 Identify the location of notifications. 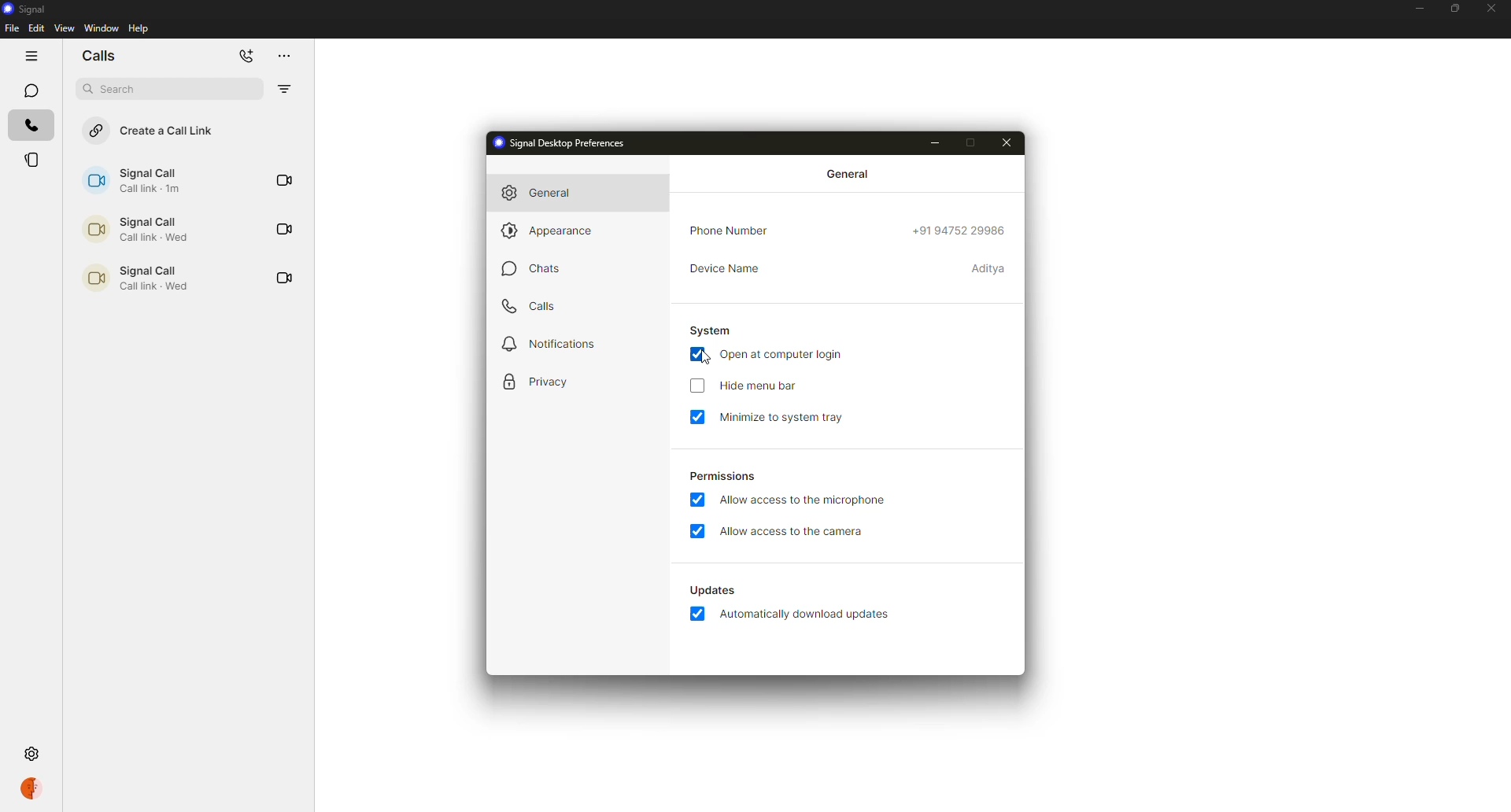
(546, 343).